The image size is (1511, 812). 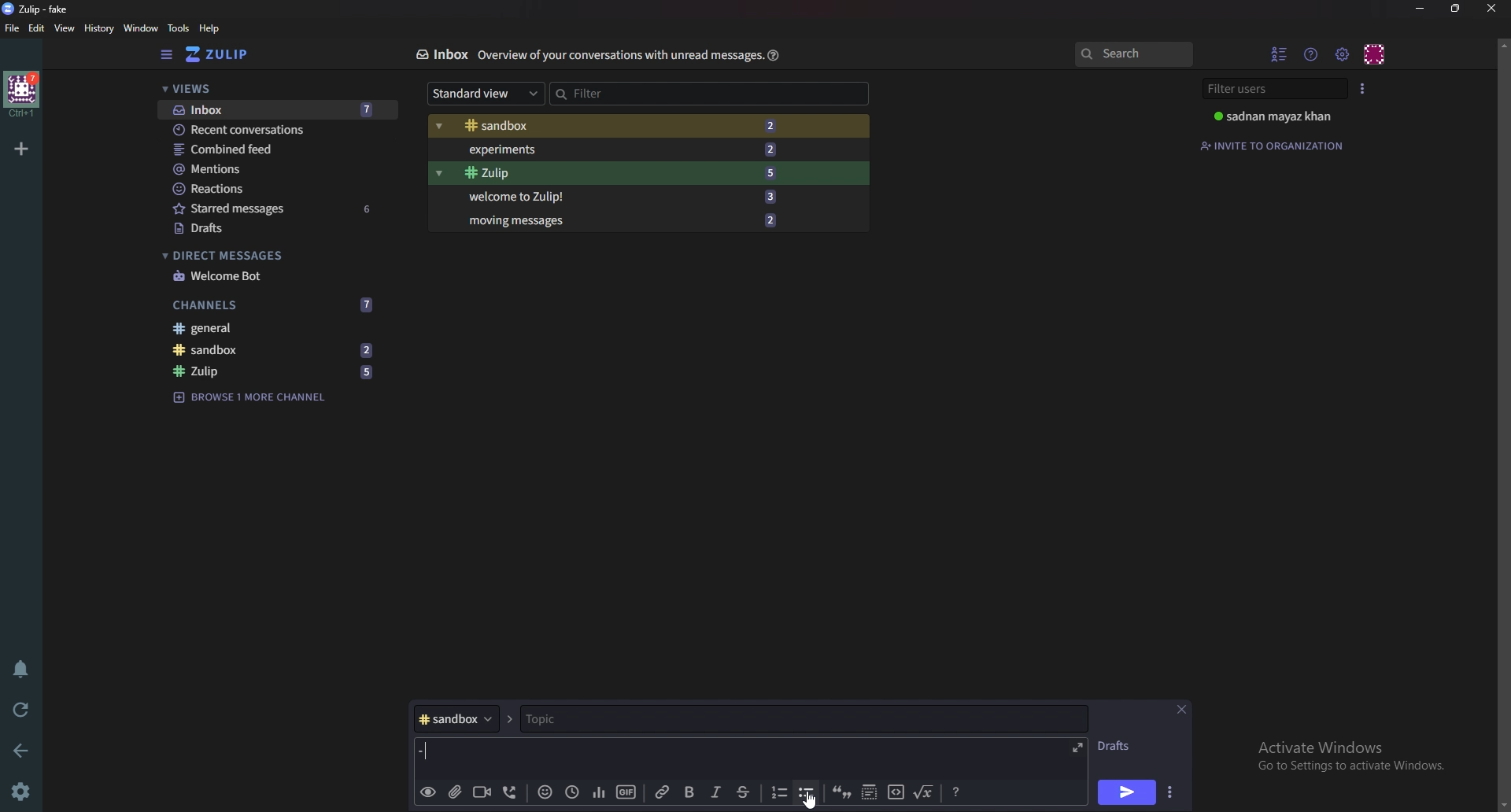 What do you see at coordinates (1172, 792) in the screenshot?
I see `Send options` at bounding box center [1172, 792].